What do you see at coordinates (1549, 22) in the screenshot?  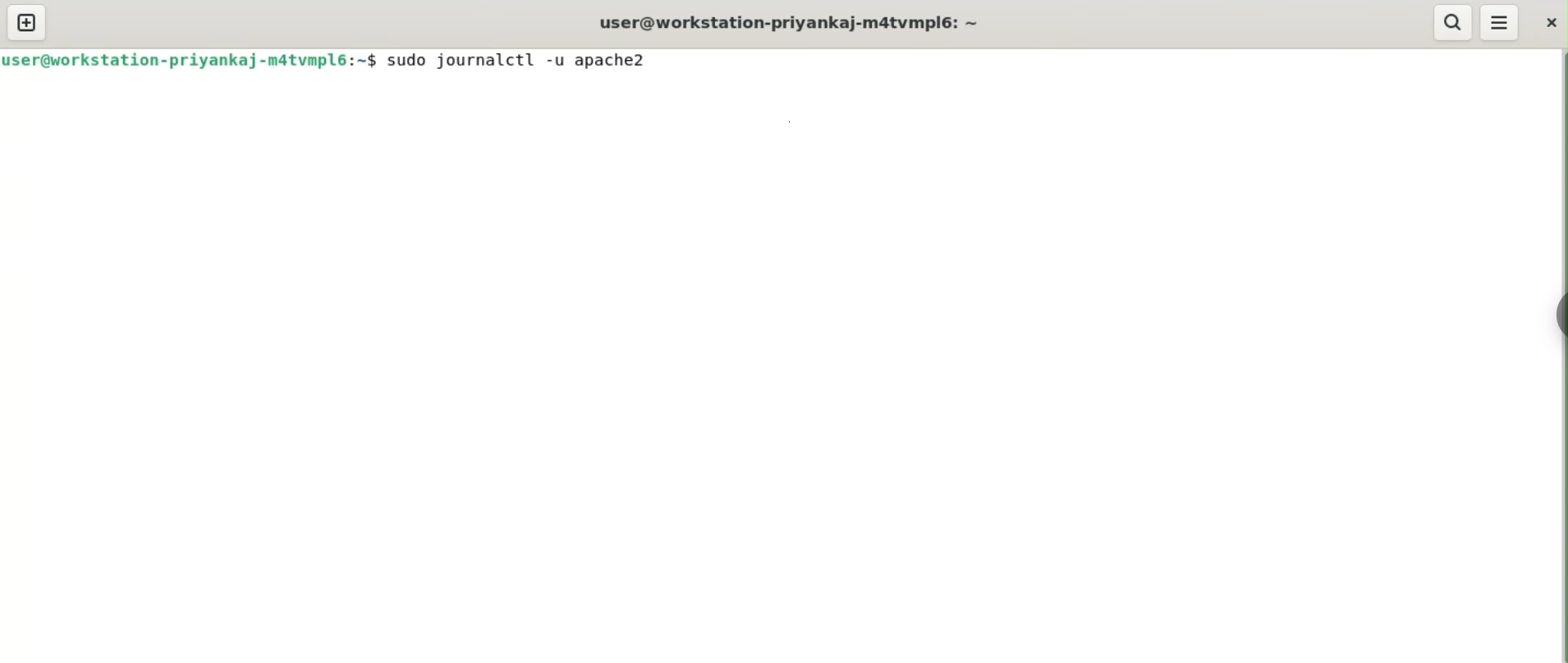 I see `close` at bounding box center [1549, 22].